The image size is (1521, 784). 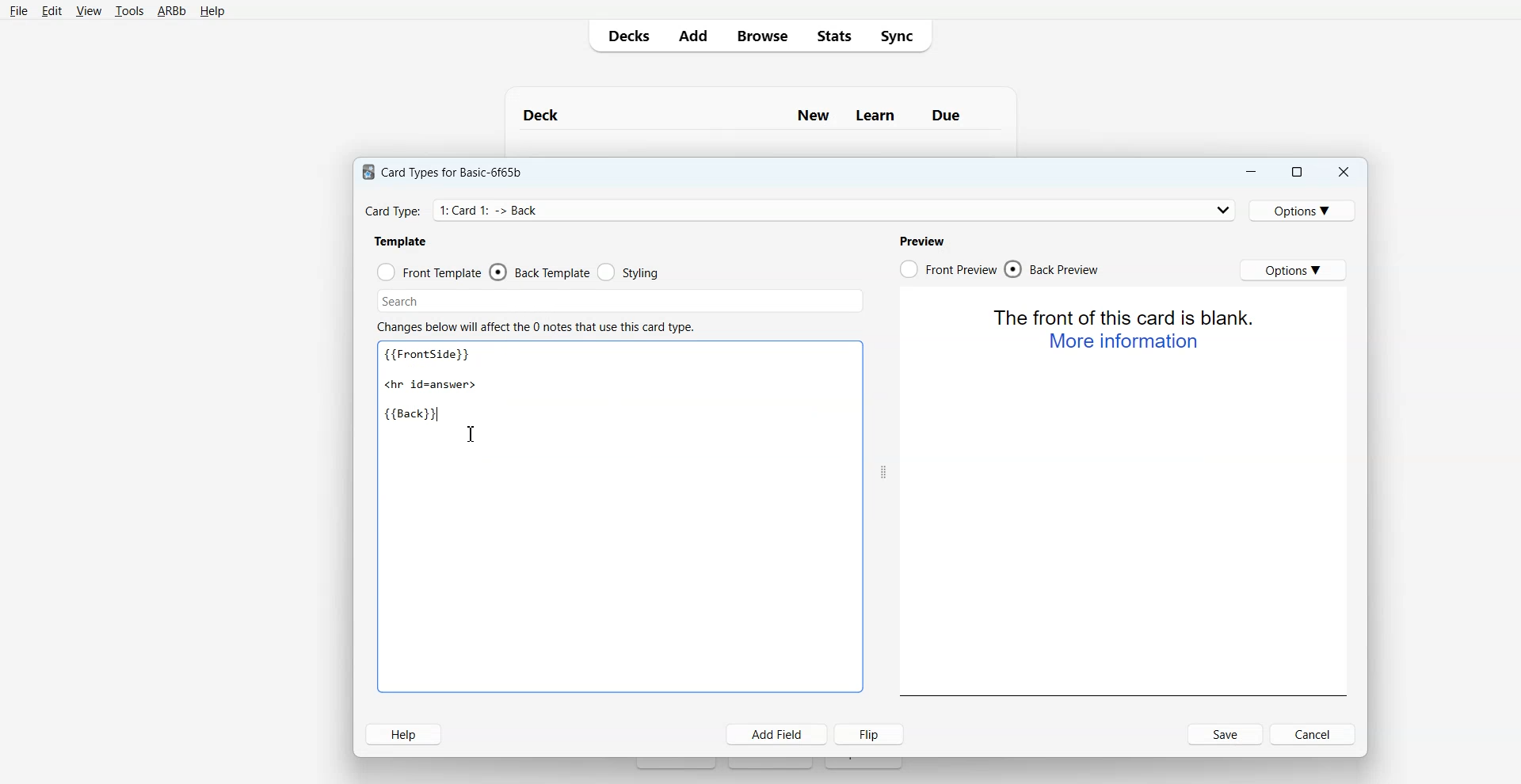 What do you see at coordinates (1225, 734) in the screenshot?
I see `Save` at bounding box center [1225, 734].